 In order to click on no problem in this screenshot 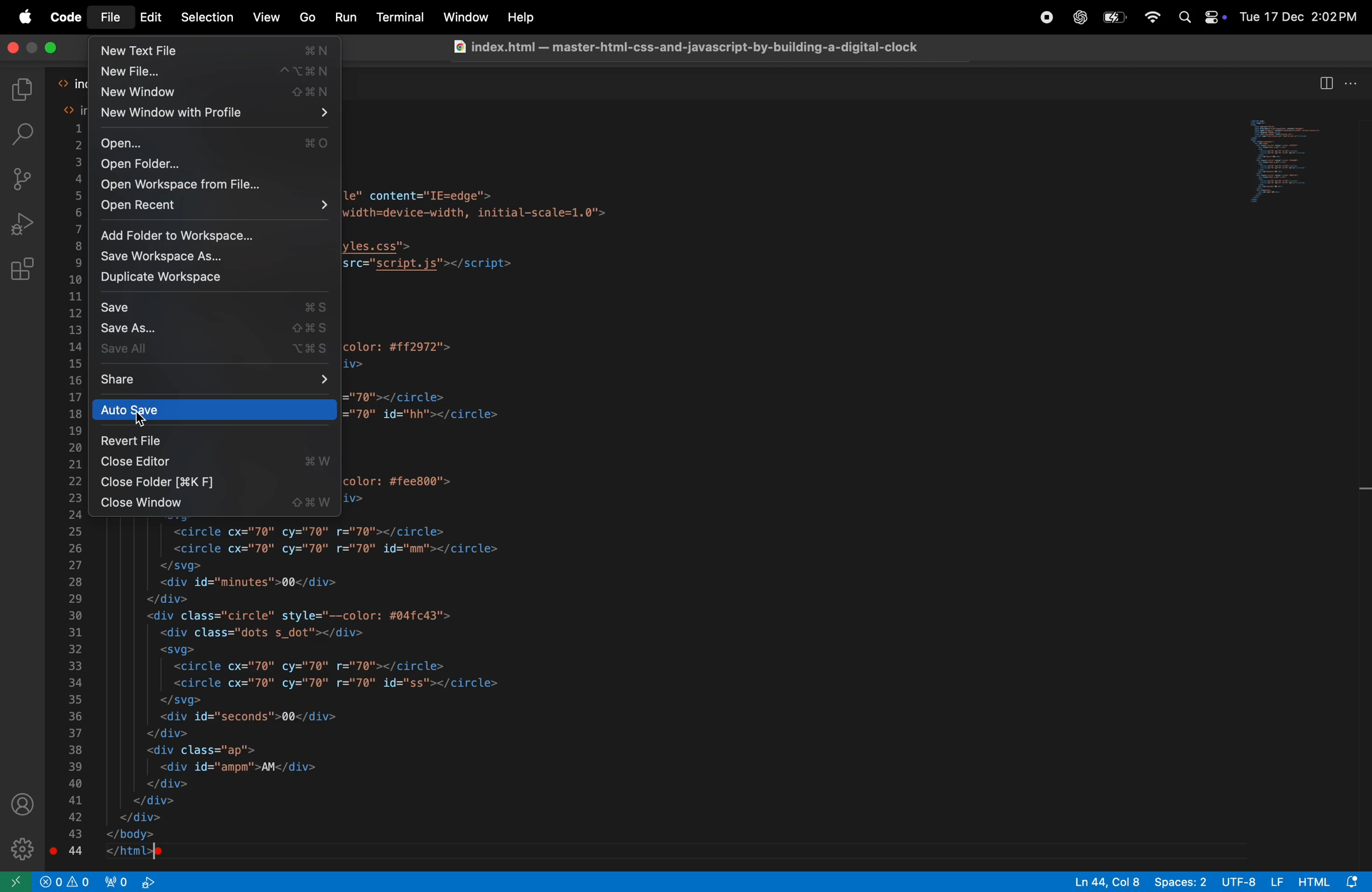, I will do `click(48, 881)`.